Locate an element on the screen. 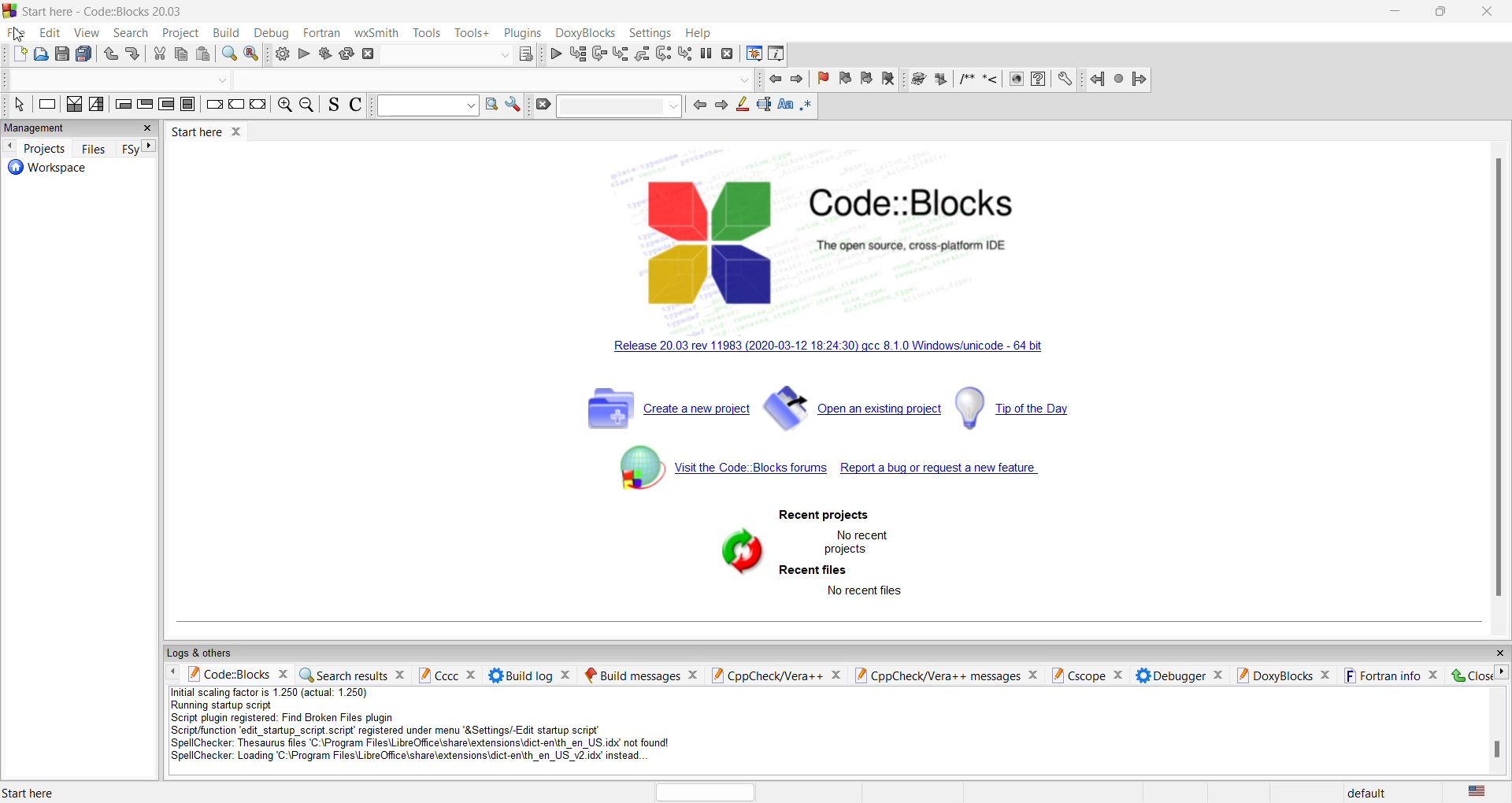 This screenshot has height=803, width=1512. plugins is located at coordinates (523, 33).